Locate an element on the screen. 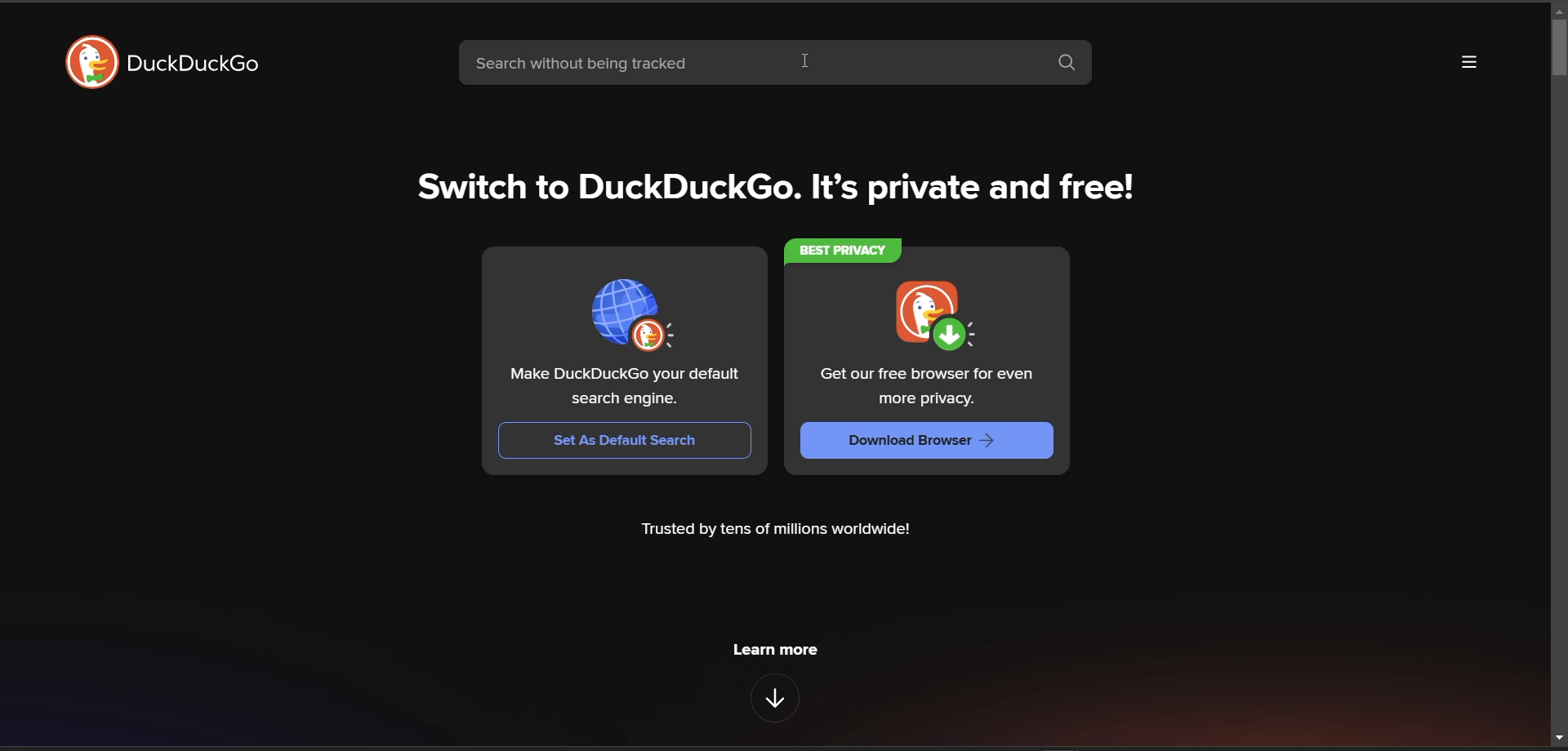 The image size is (1568, 751). DuckDuckGo is located at coordinates (195, 65).